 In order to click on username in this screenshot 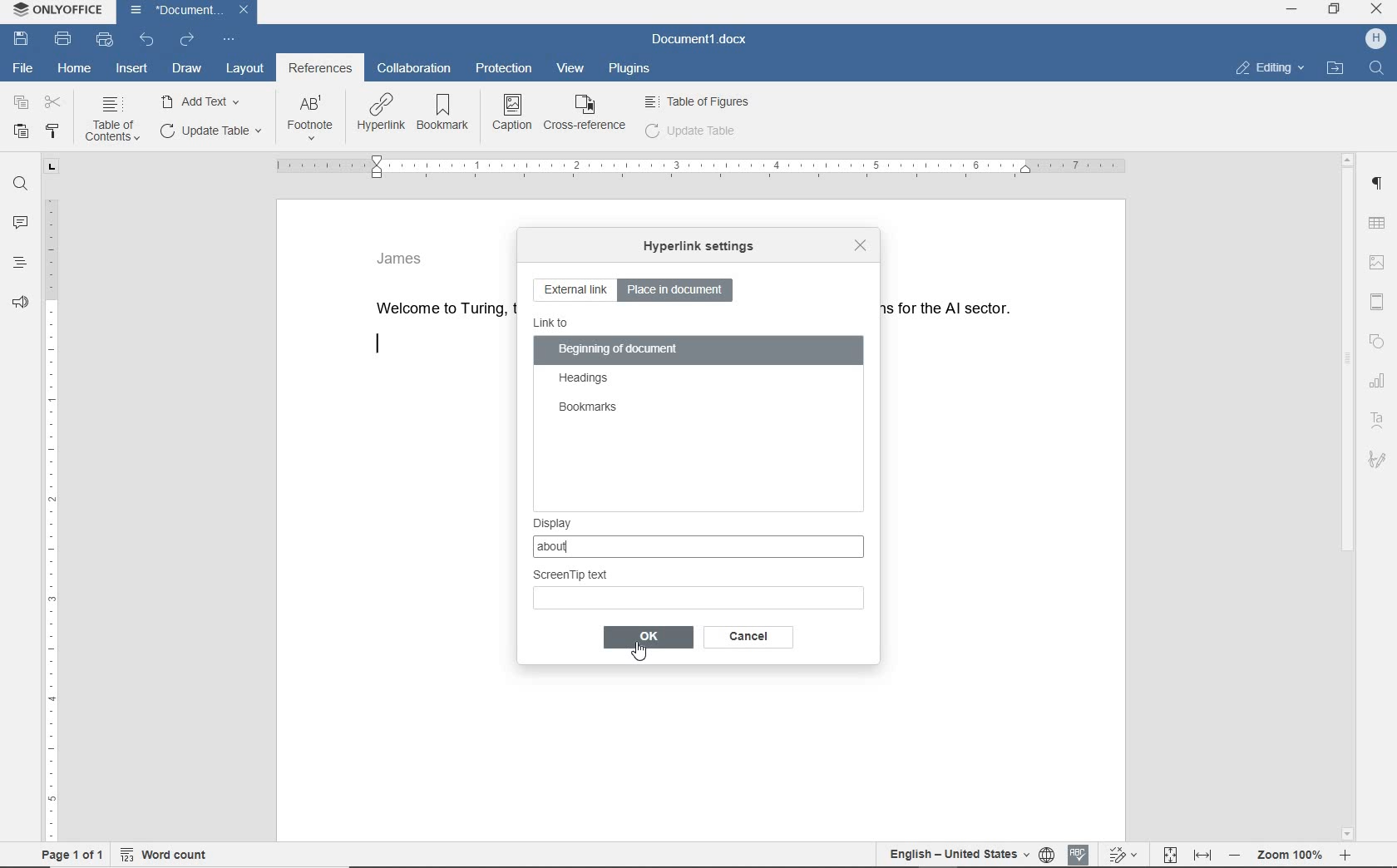, I will do `click(1376, 40)`.